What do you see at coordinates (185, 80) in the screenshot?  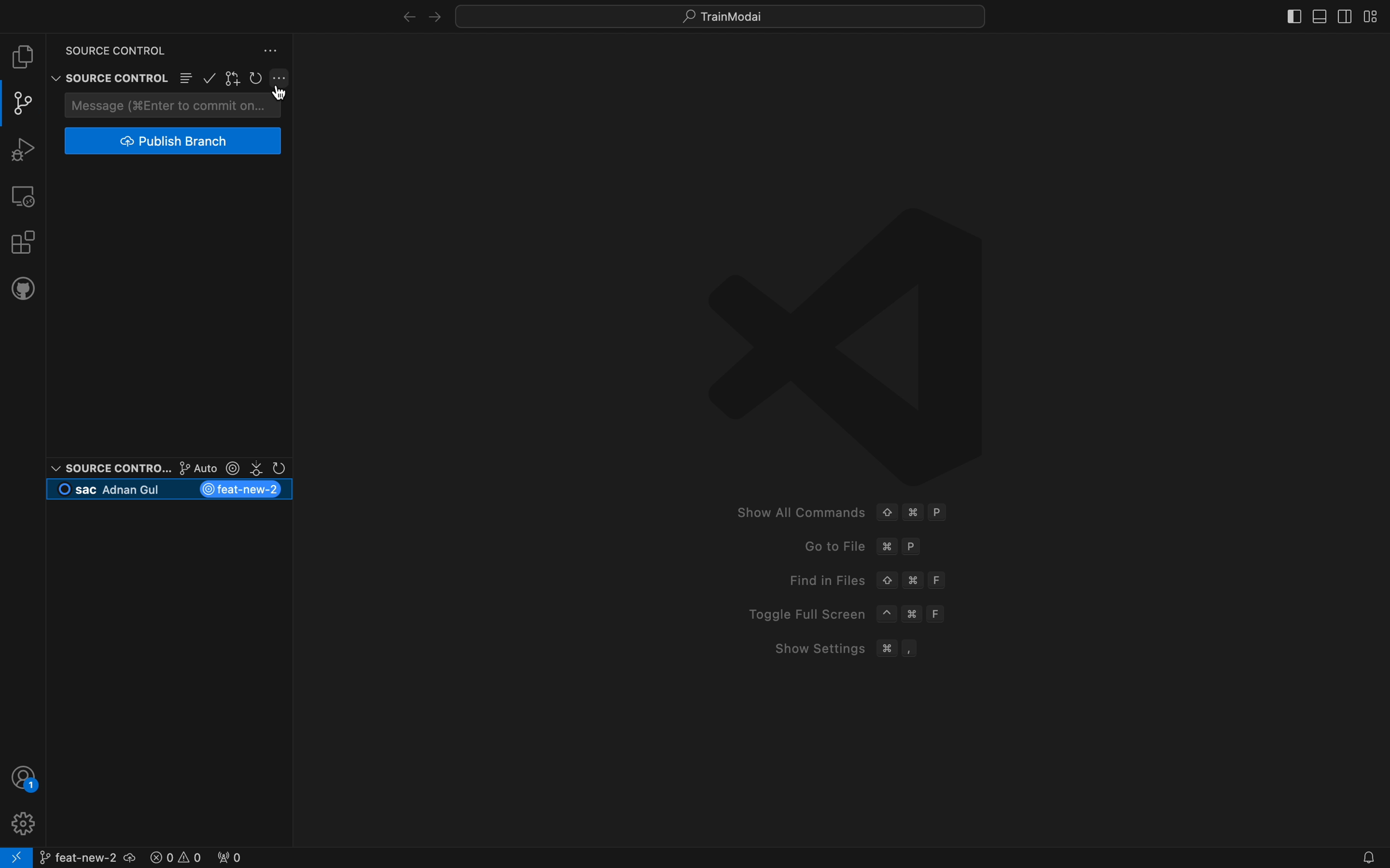 I see `` at bounding box center [185, 80].